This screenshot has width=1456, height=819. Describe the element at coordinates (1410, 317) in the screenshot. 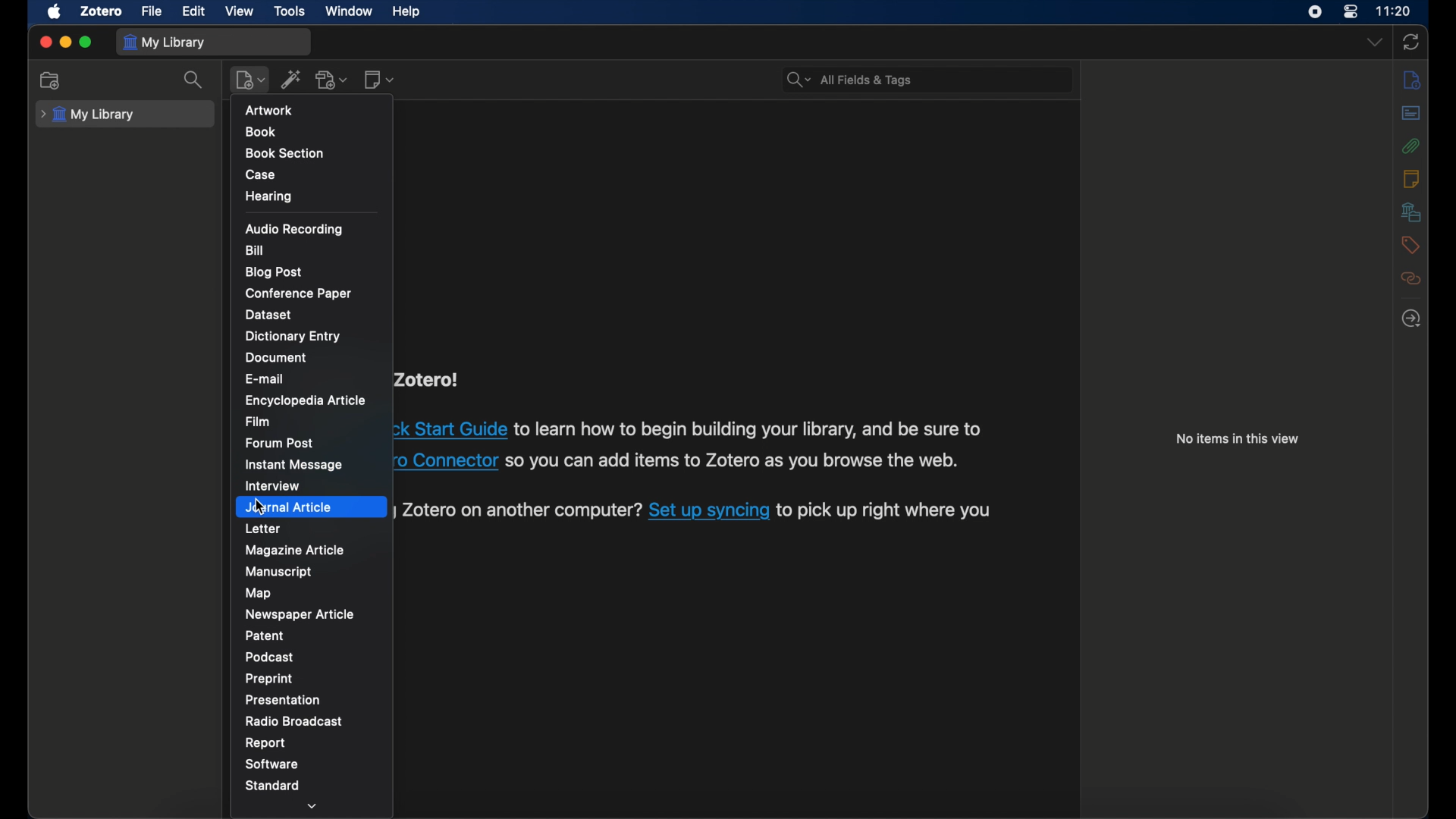

I see `locate` at that location.